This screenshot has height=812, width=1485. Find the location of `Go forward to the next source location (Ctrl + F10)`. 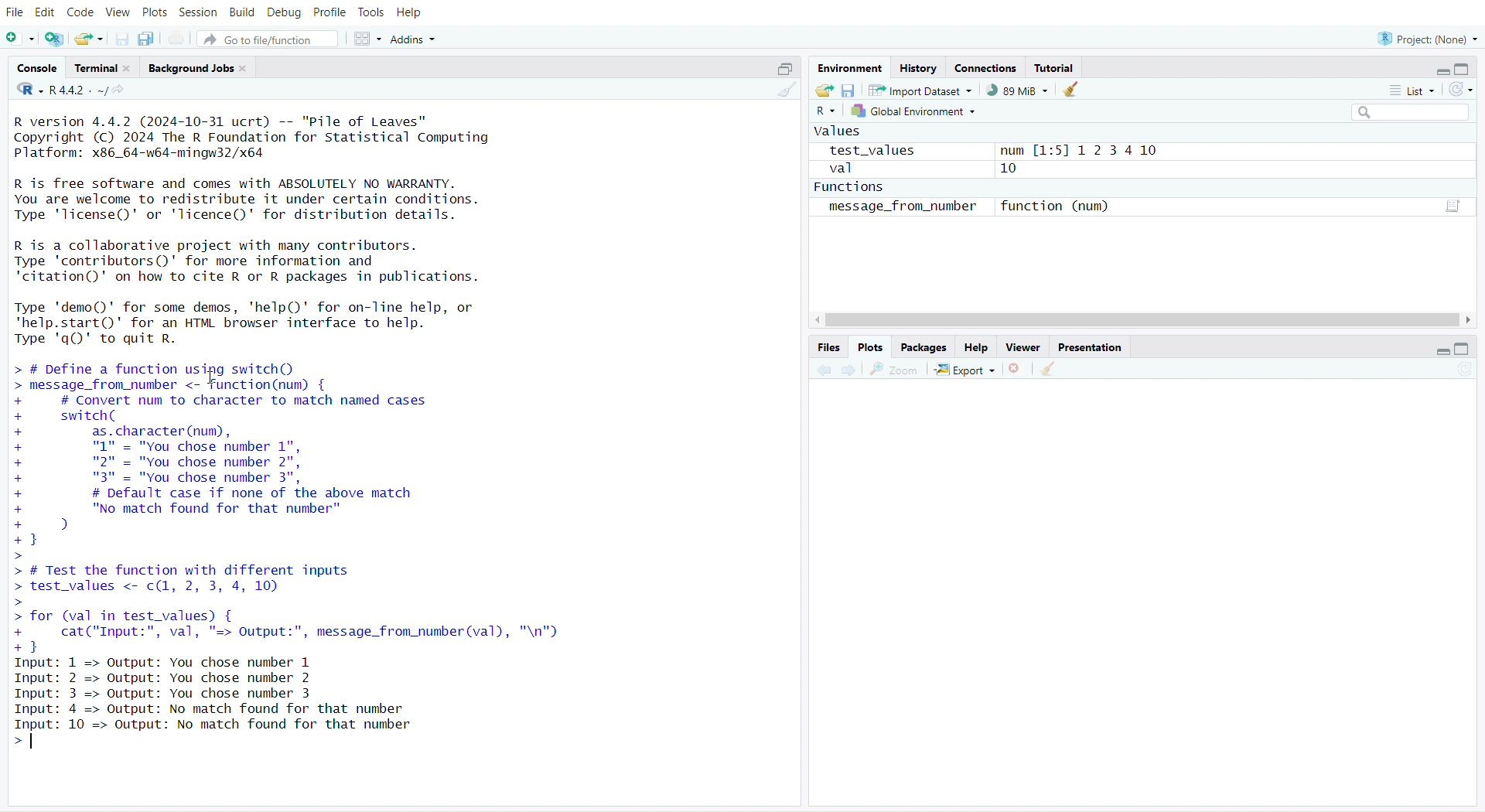

Go forward to the next source location (Ctrl + F10) is located at coordinates (849, 367).